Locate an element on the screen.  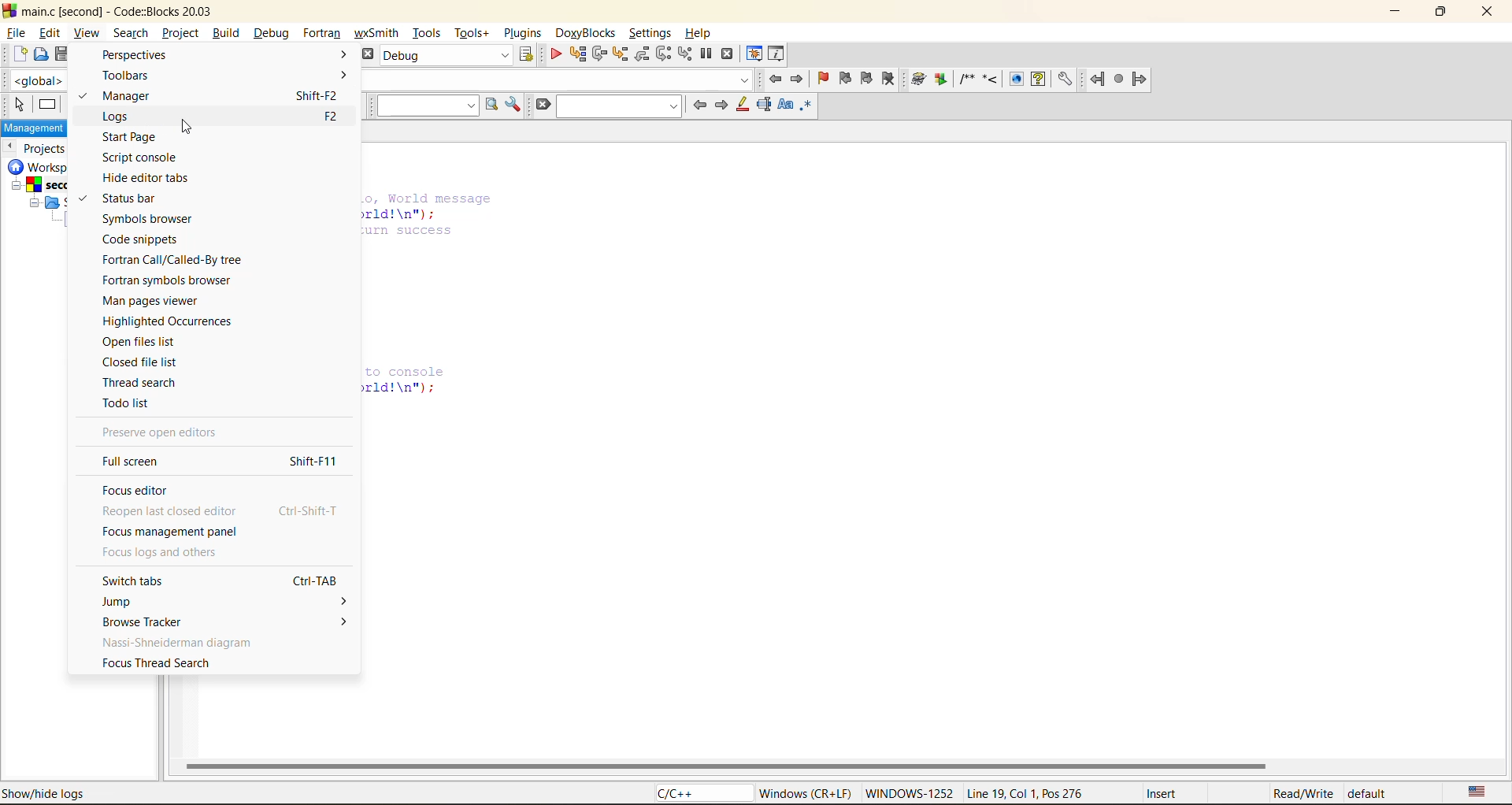
man pages viewer is located at coordinates (157, 300).